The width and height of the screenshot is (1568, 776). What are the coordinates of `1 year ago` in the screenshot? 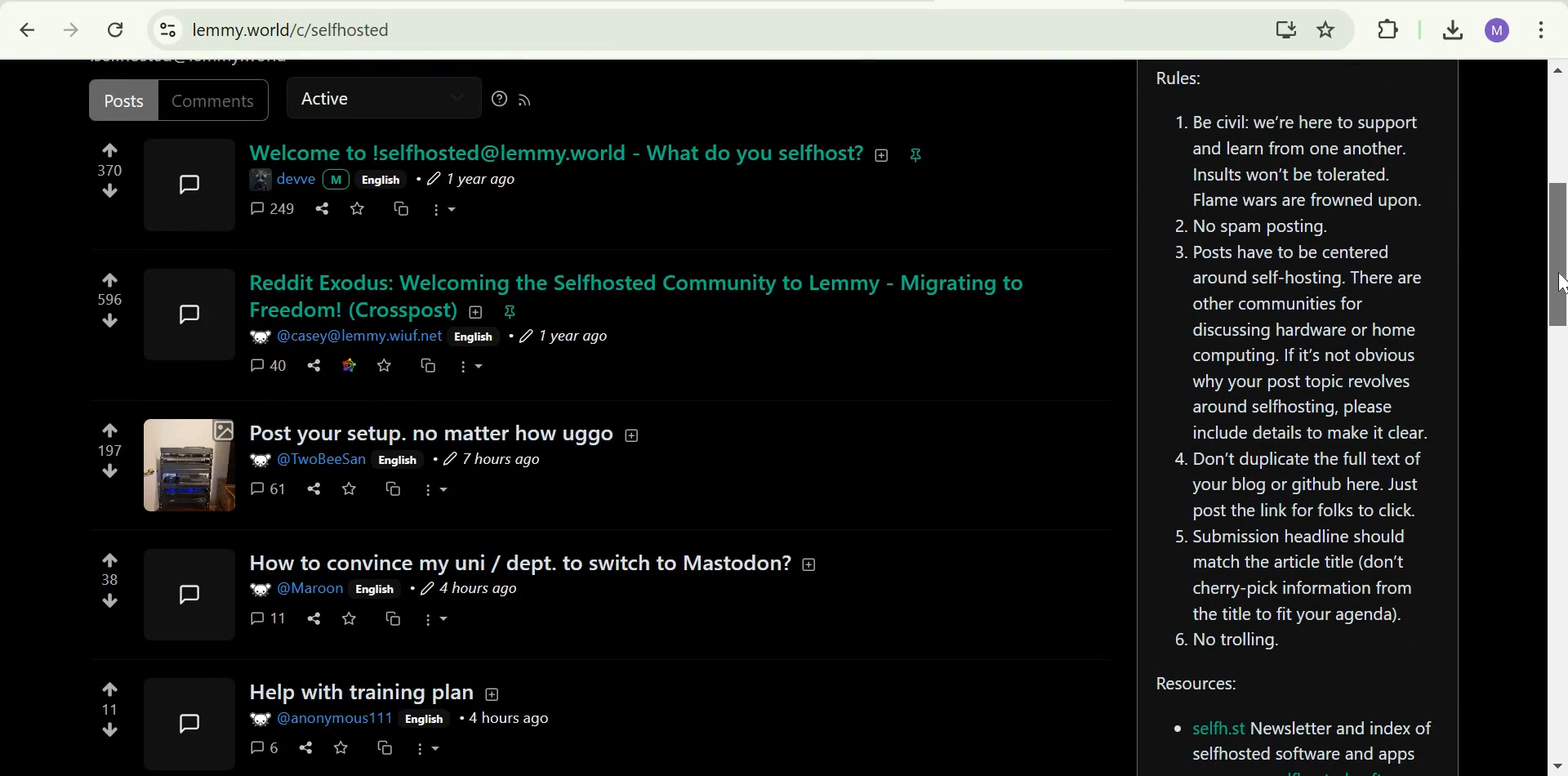 It's located at (563, 337).